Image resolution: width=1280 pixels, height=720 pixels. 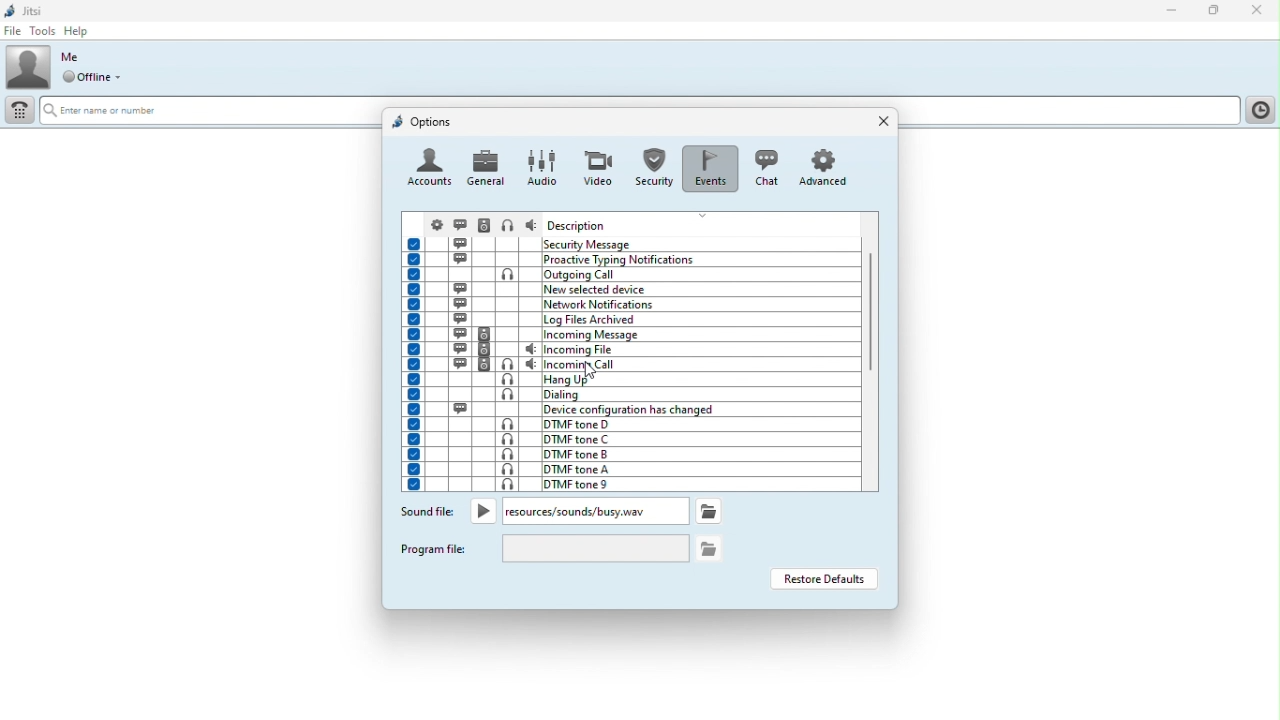 I want to click on Accounts, so click(x=430, y=170).